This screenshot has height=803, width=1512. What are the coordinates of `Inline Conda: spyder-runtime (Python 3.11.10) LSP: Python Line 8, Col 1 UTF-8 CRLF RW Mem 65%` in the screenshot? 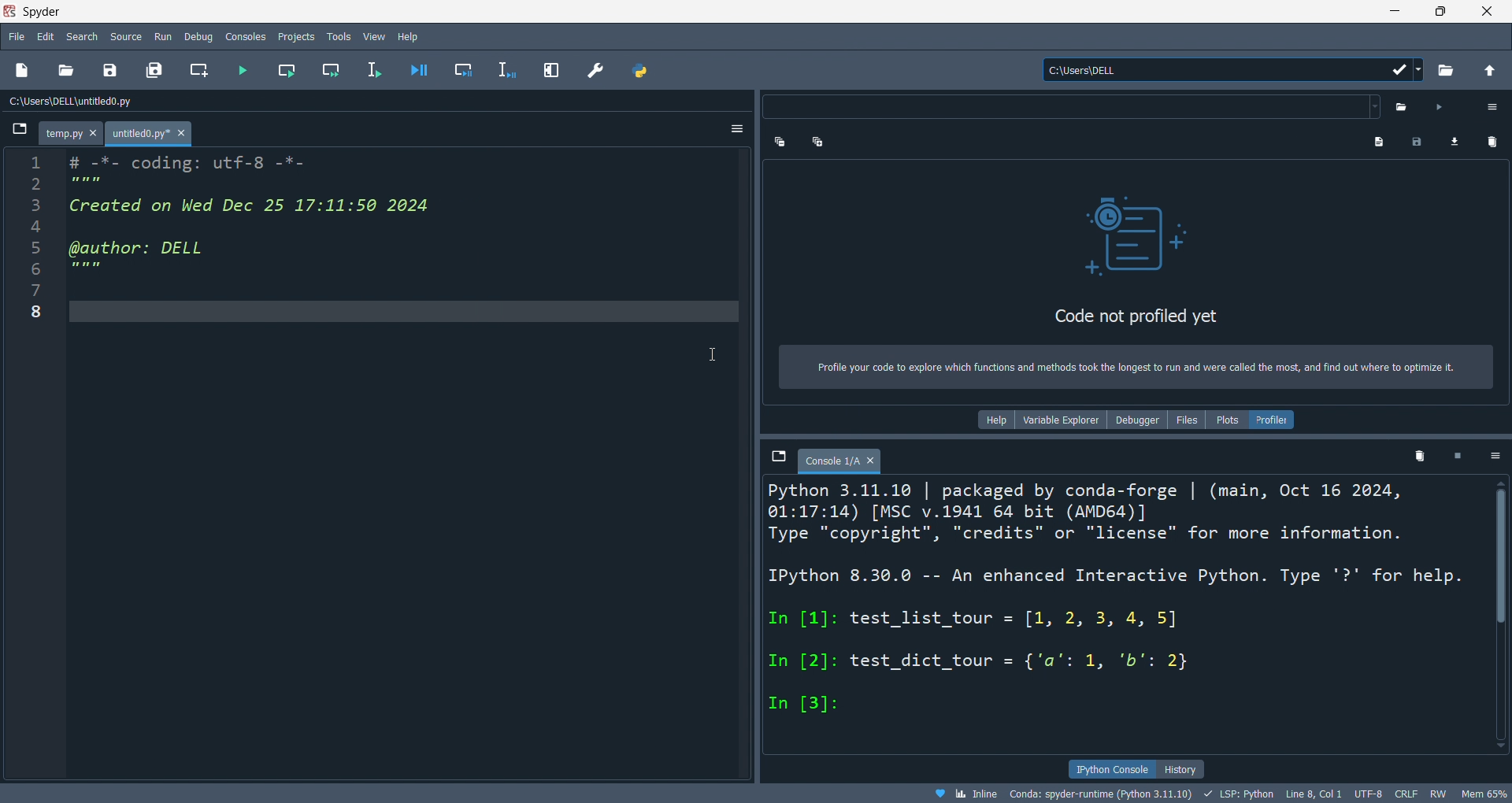 It's located at (1210, 794).